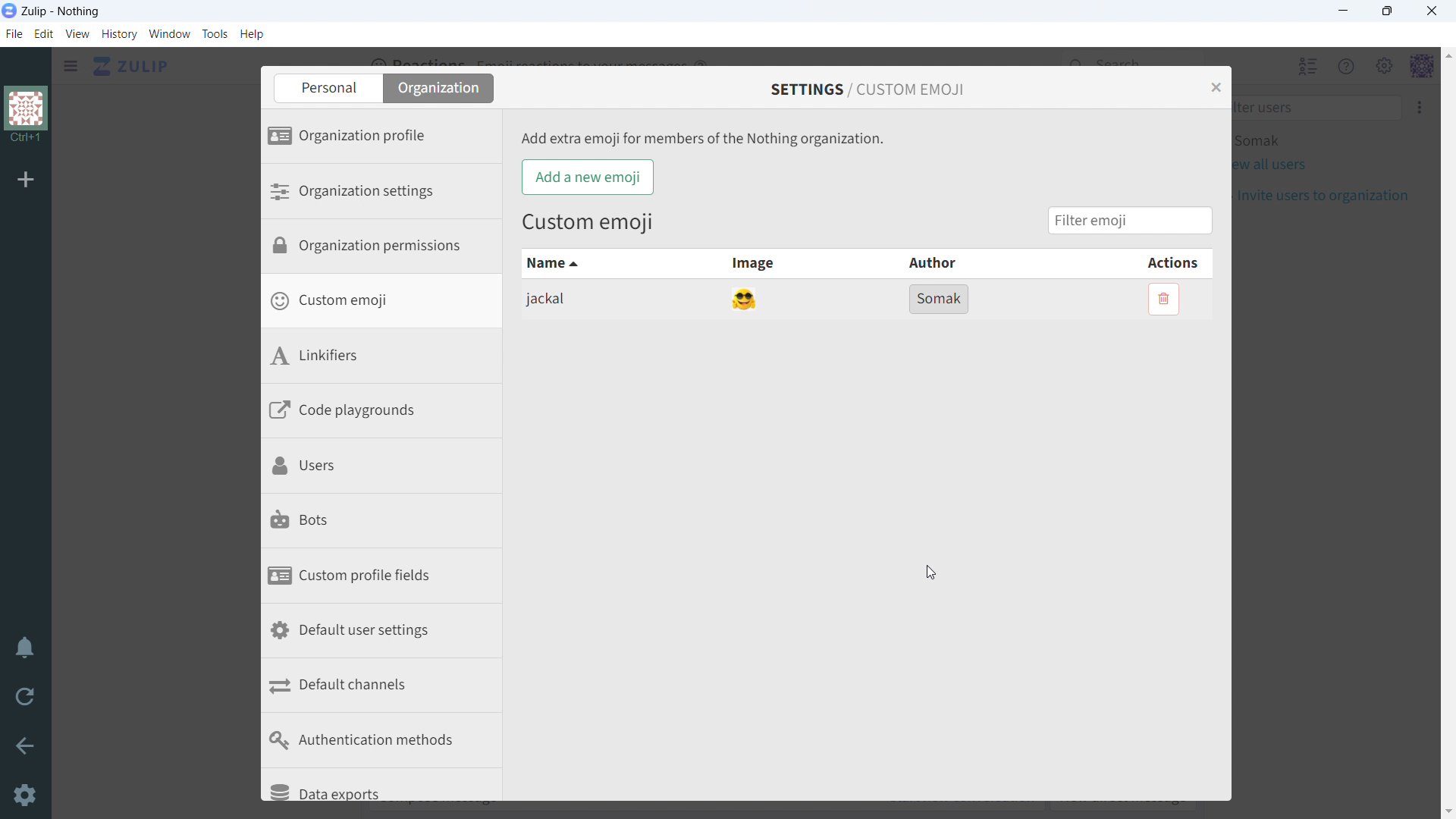 This screenshot has width=1456, height=819. What do you see at coordinates (71, 66) in the screenshot?
I see `open sidebar menu` at bounding box center [71, 66].